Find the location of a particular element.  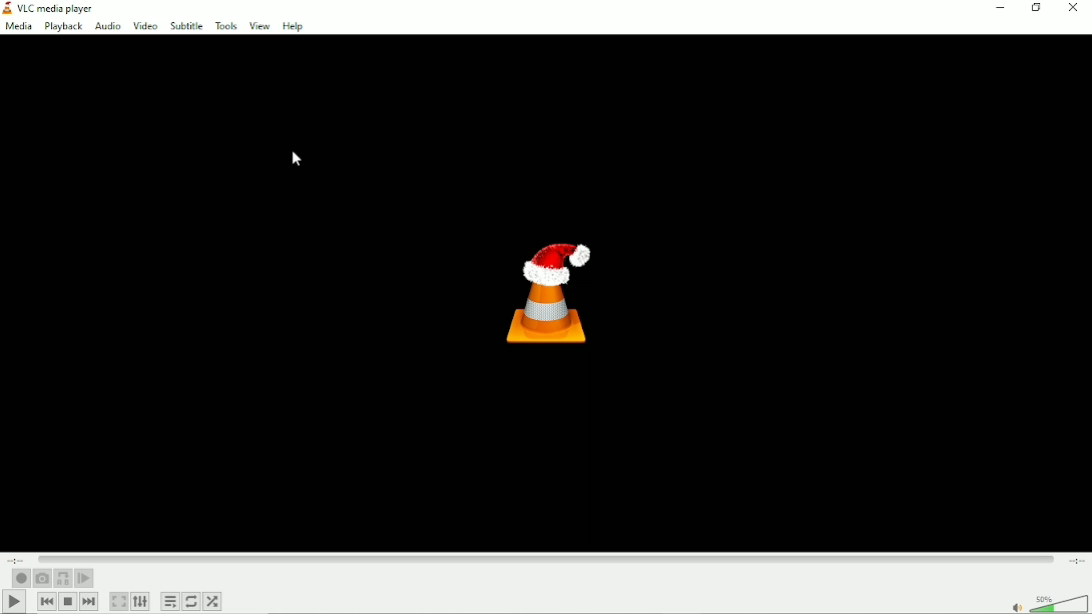

Restore down is located at coordinates (1038, 9).